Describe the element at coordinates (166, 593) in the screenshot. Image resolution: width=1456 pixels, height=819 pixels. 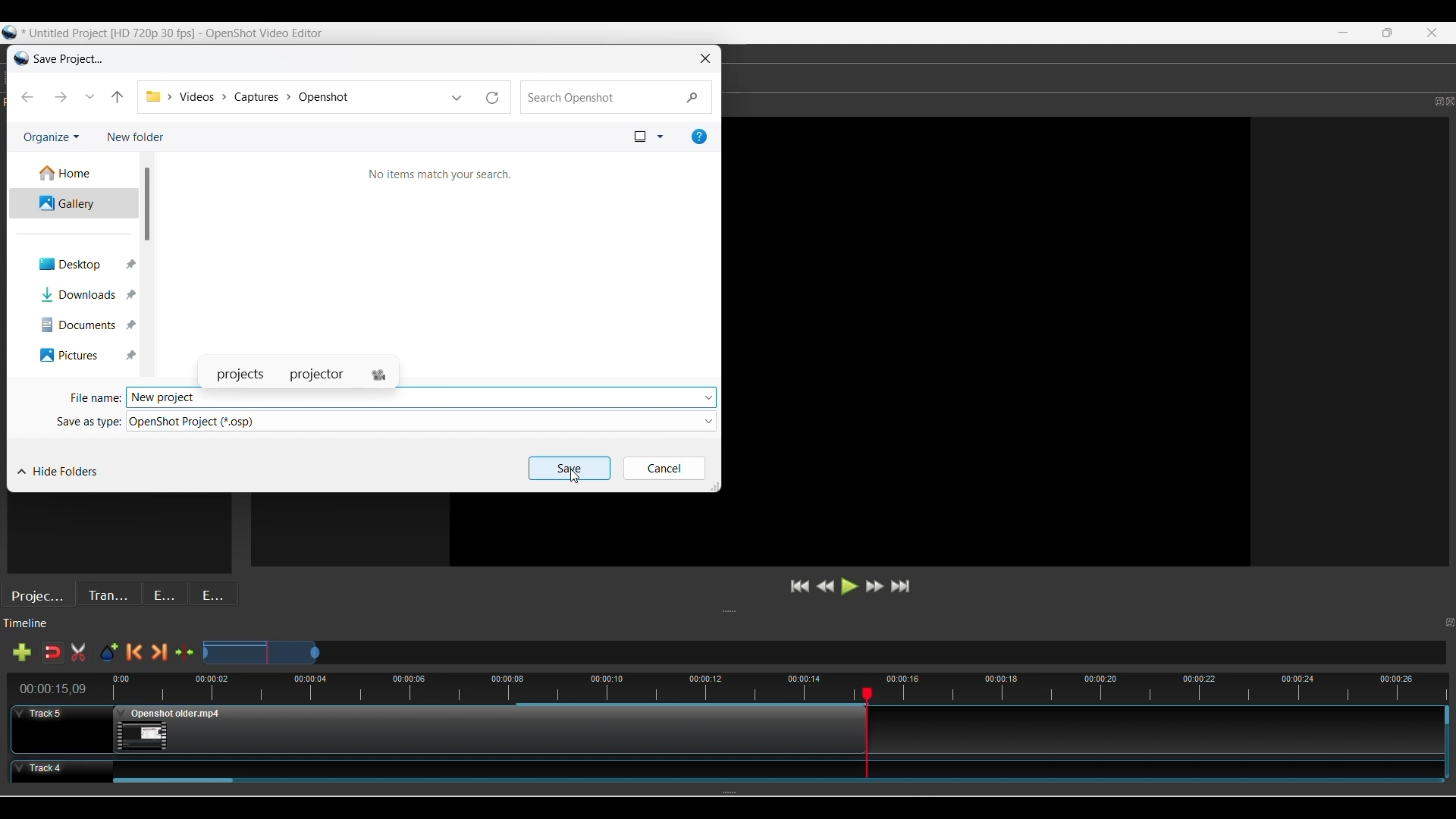
I see `Effects` at that location.